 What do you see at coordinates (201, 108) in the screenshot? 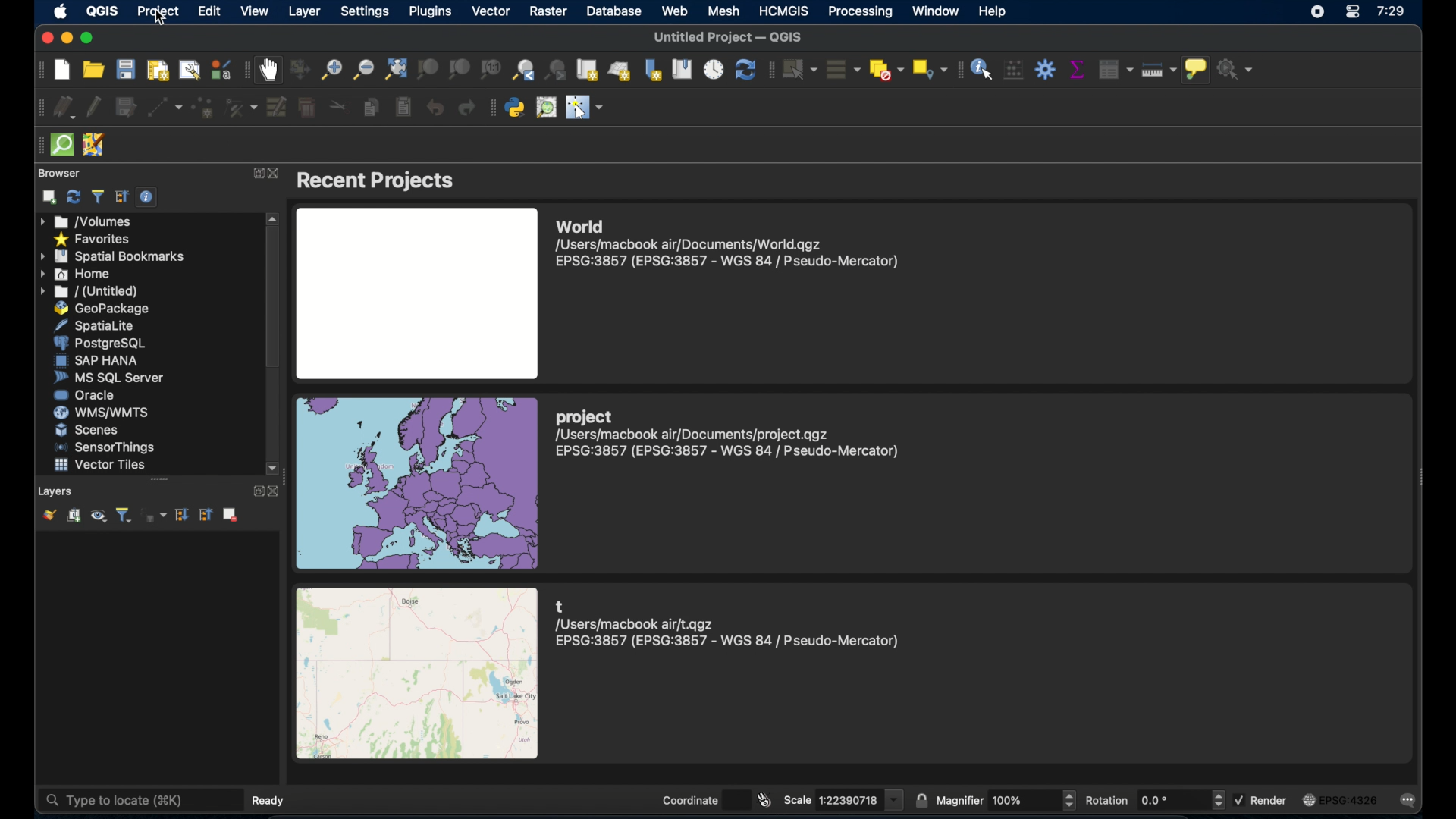
I see `add point feature` at bounding box center [201, 108].